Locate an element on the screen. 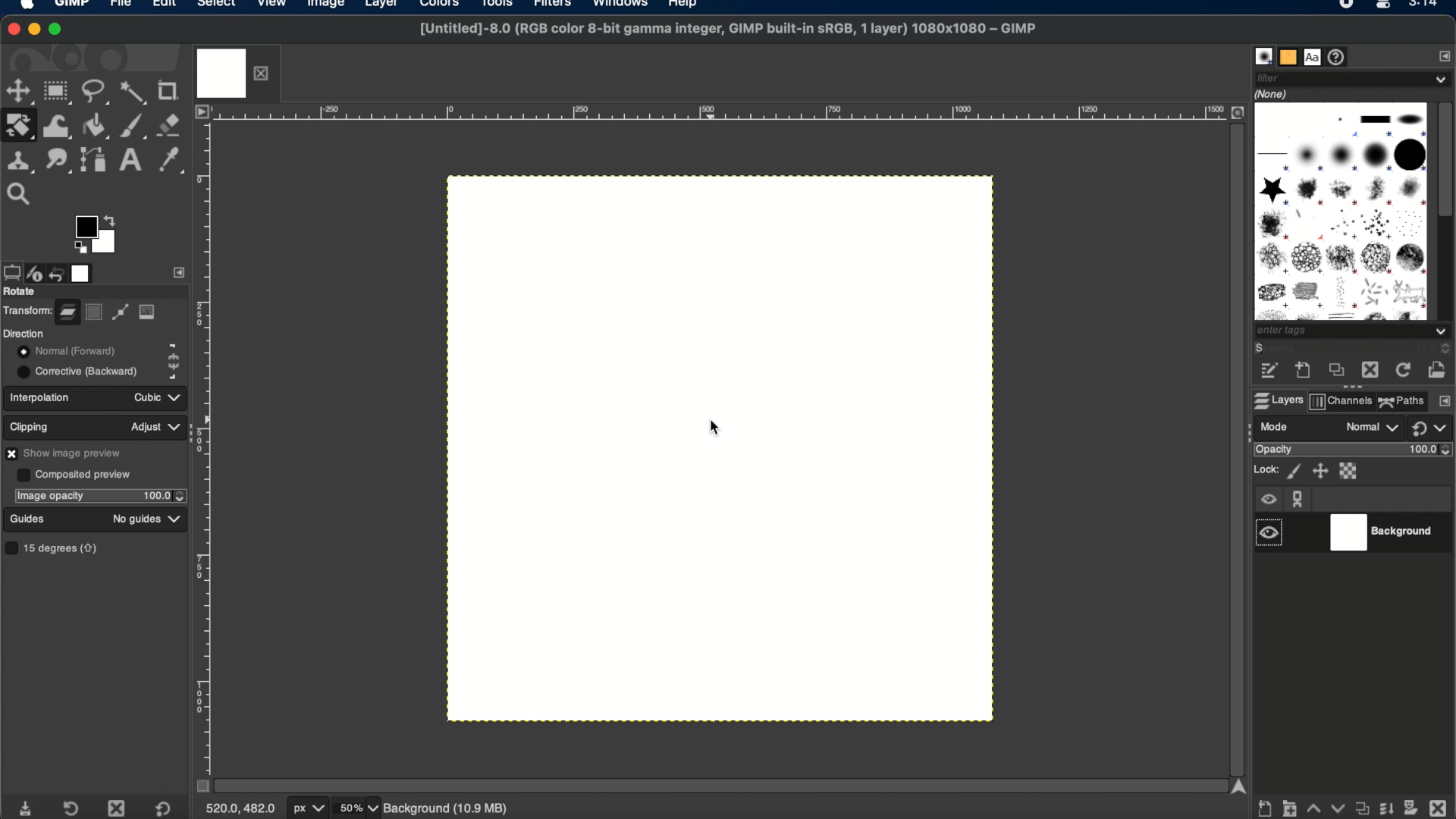  scroll box is located at coordinates (1446, 162).